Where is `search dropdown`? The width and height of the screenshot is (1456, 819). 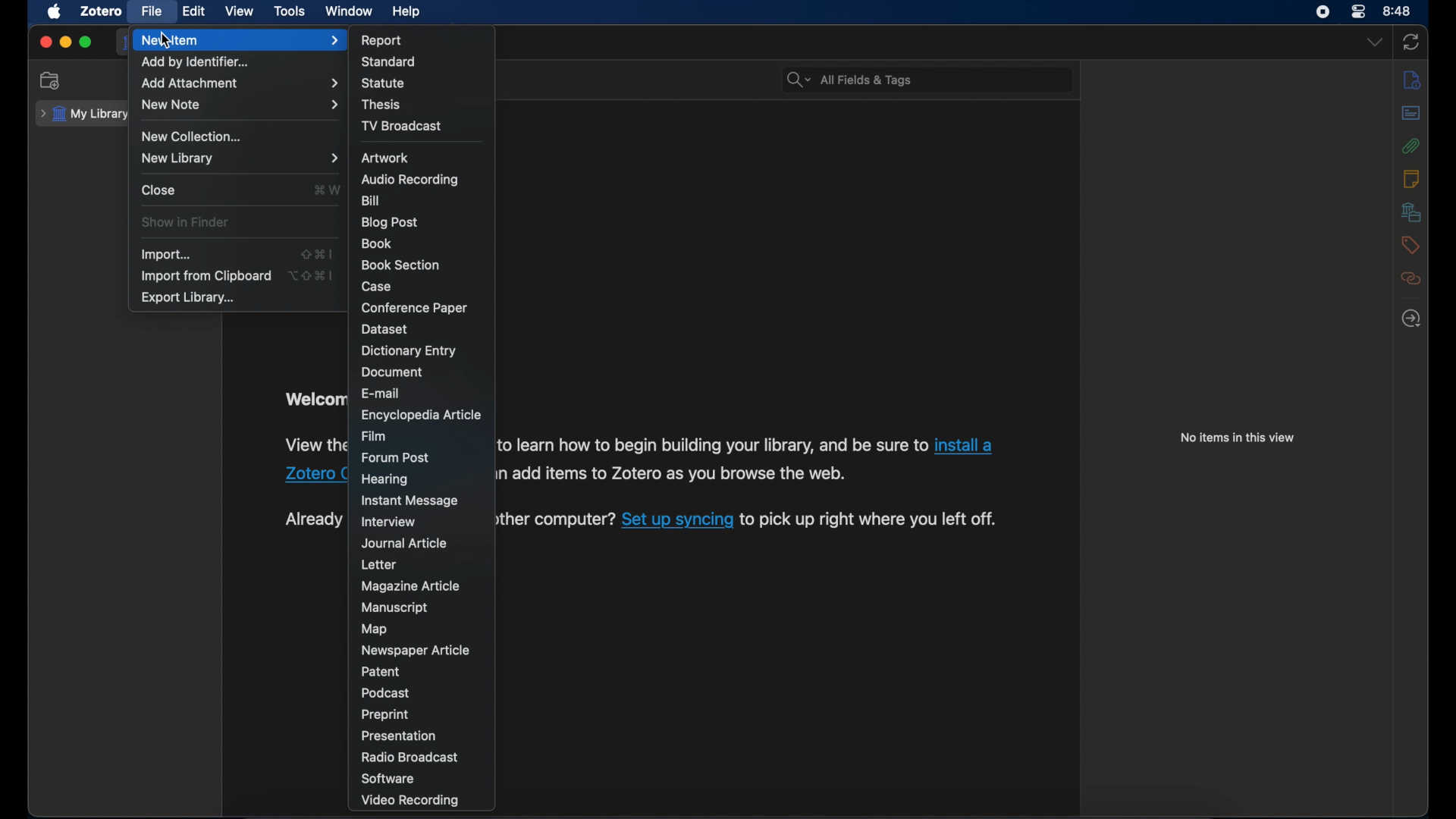 search dropdown is located at coordinates (798, 80).